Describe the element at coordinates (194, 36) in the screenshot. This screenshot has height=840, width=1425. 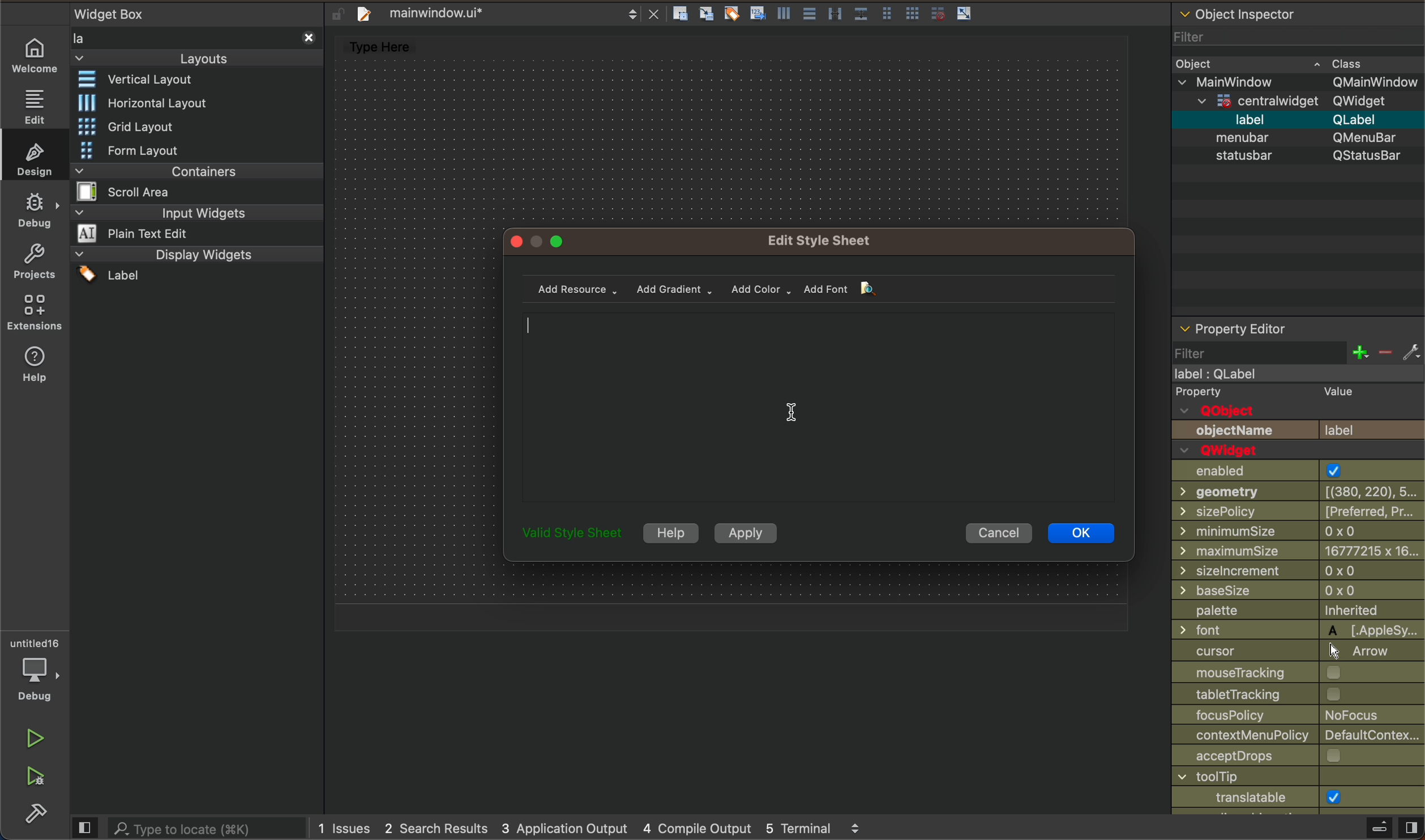
I see `widget box` at that location.